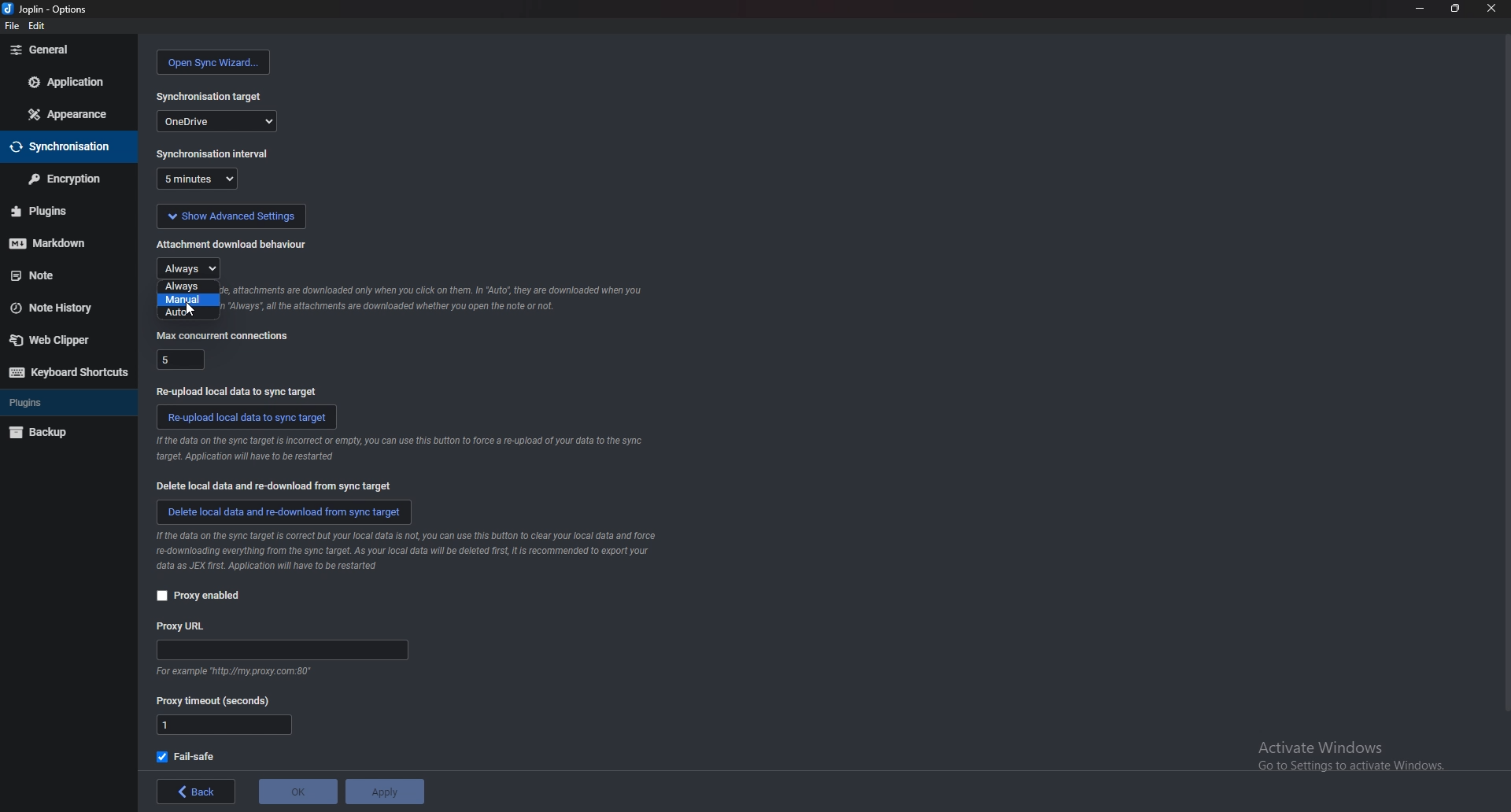 Image resolution: width=1511 pixels, height=812 pixels. I want to click on scroll bar, so click(1505, 376).